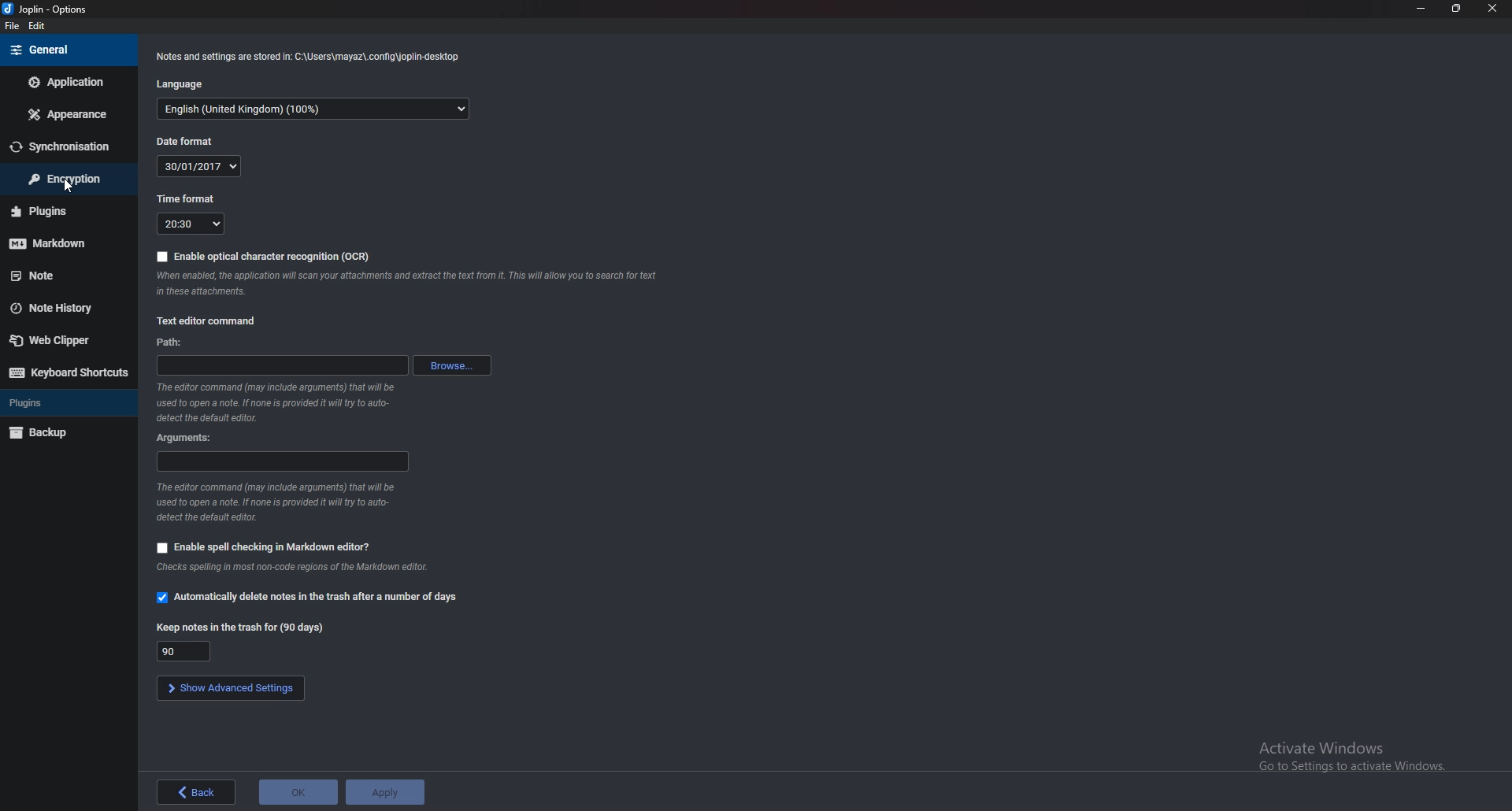 This screenshot has width=1512, height=811. I want to click on cursor, so click(73, 187).